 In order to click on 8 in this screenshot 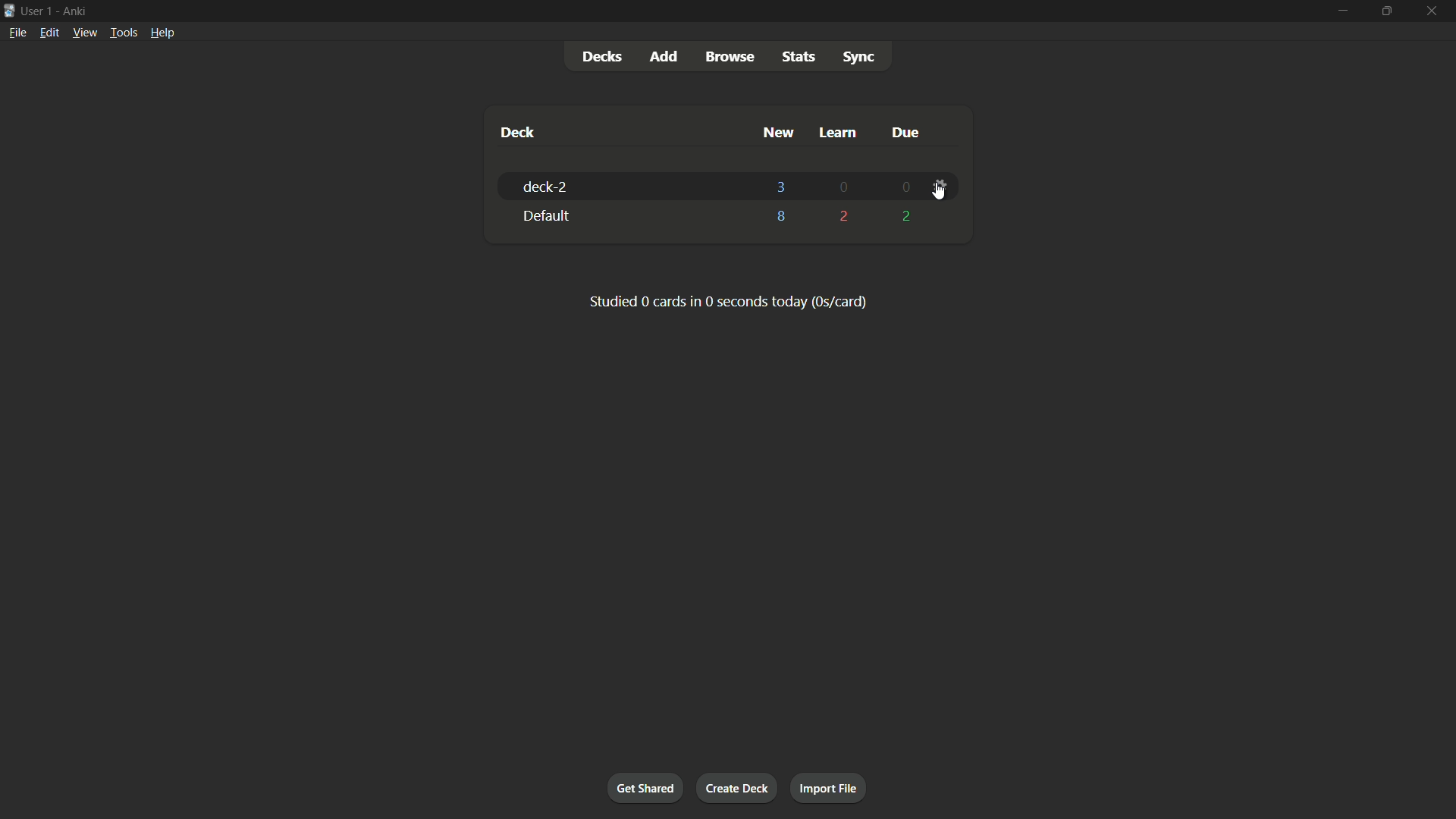, I will do `click(781, 220)`.